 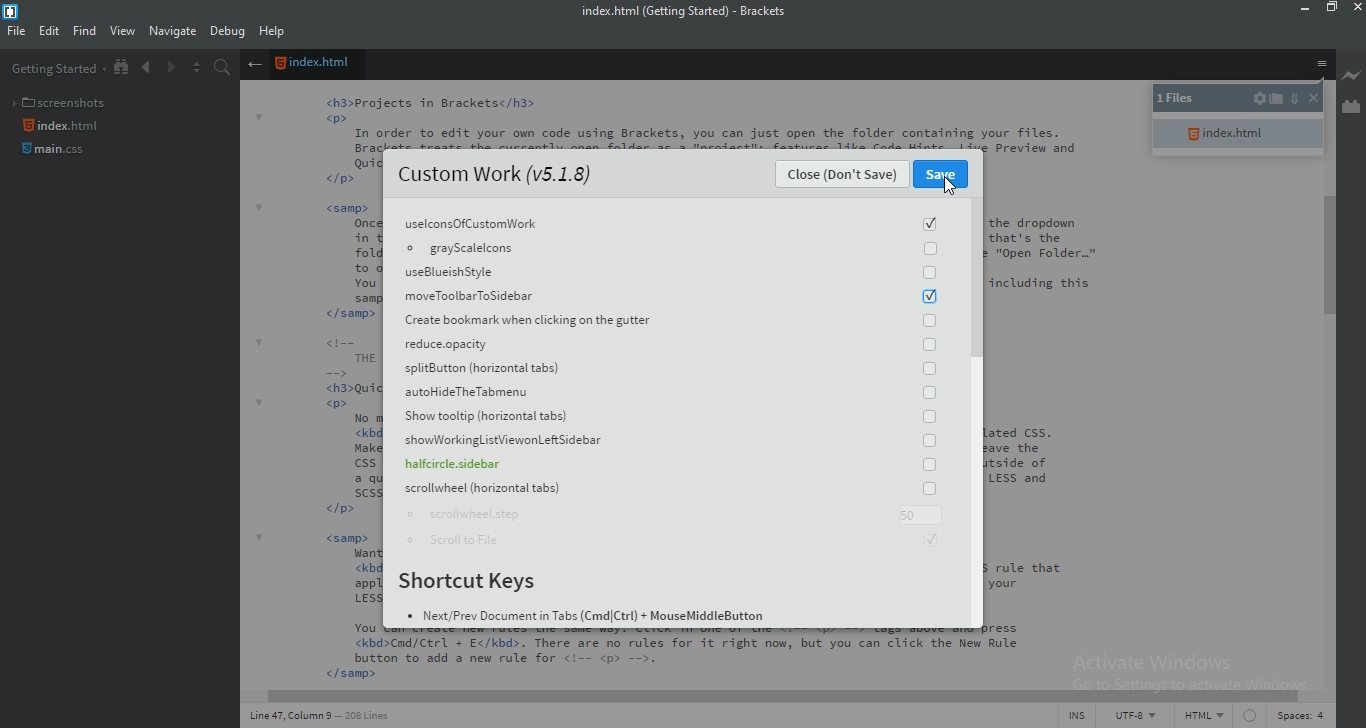 I want to click on uselconsOfCustomWork, so click(x=668, y=222).